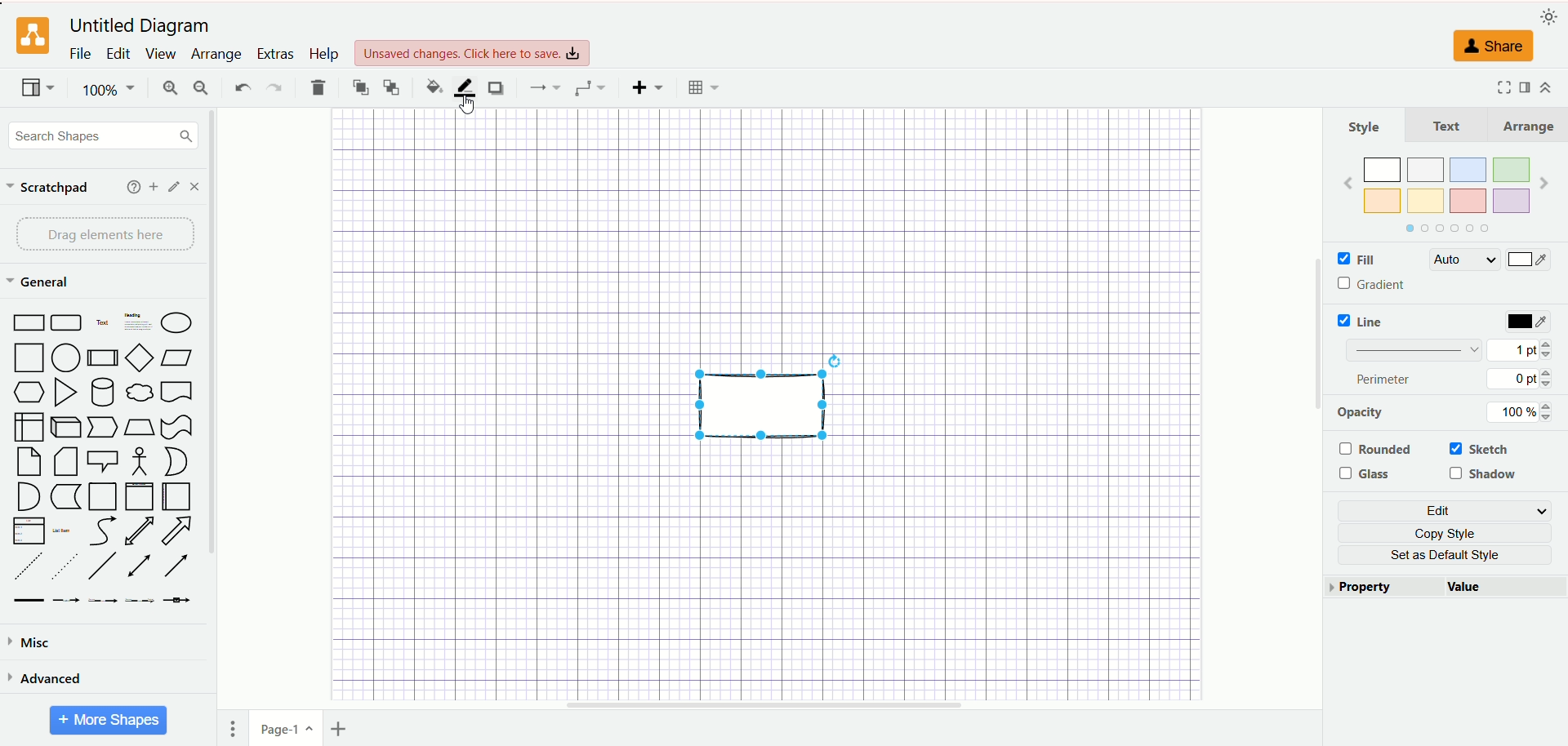 The image size is (1568, 746). What do you see at coordinates (1360, 414) in the screenshot?
I see `opacity` at bounding box center [1360, 414].